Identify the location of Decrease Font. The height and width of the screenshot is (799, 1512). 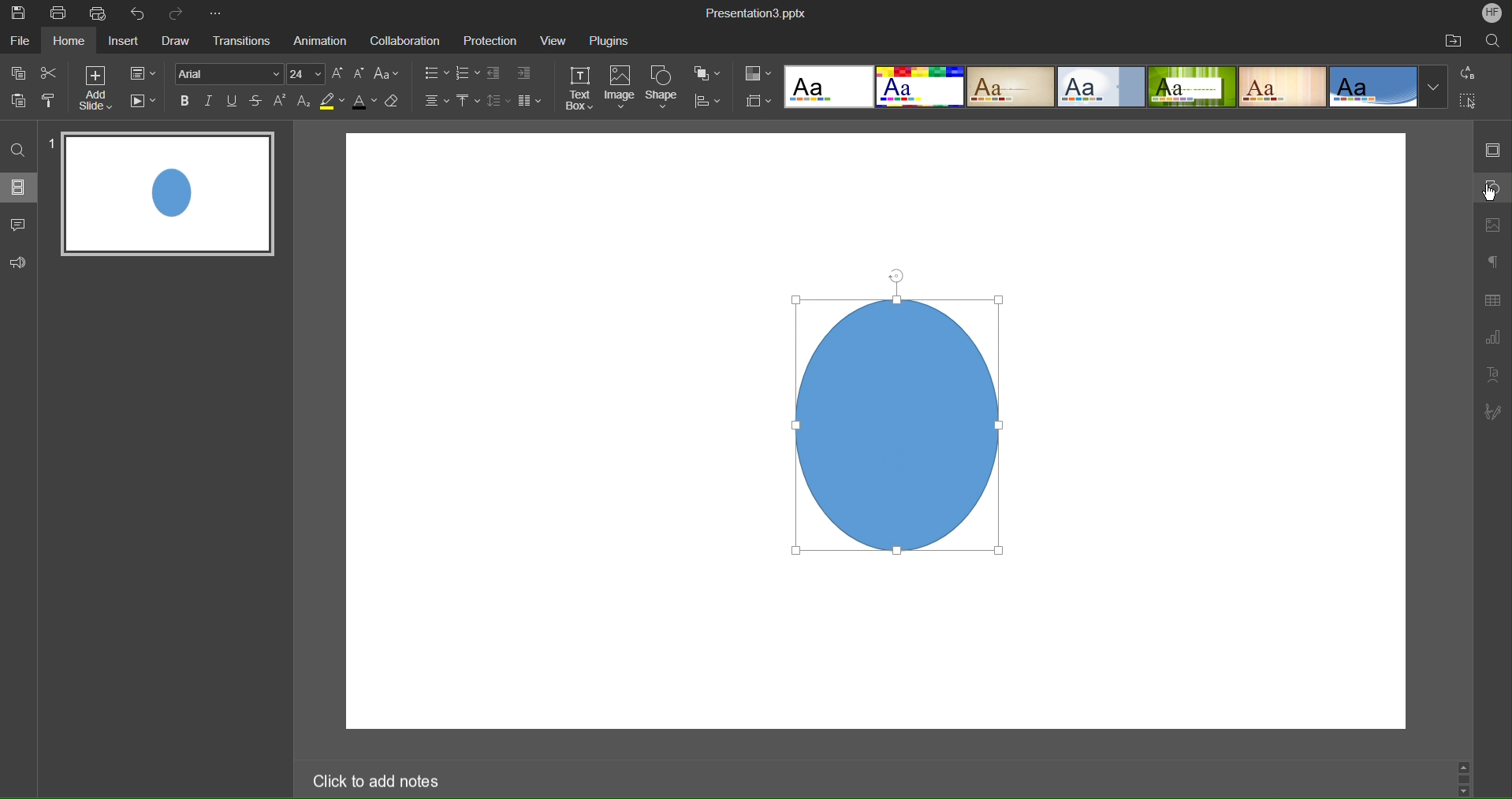
(360, 74).